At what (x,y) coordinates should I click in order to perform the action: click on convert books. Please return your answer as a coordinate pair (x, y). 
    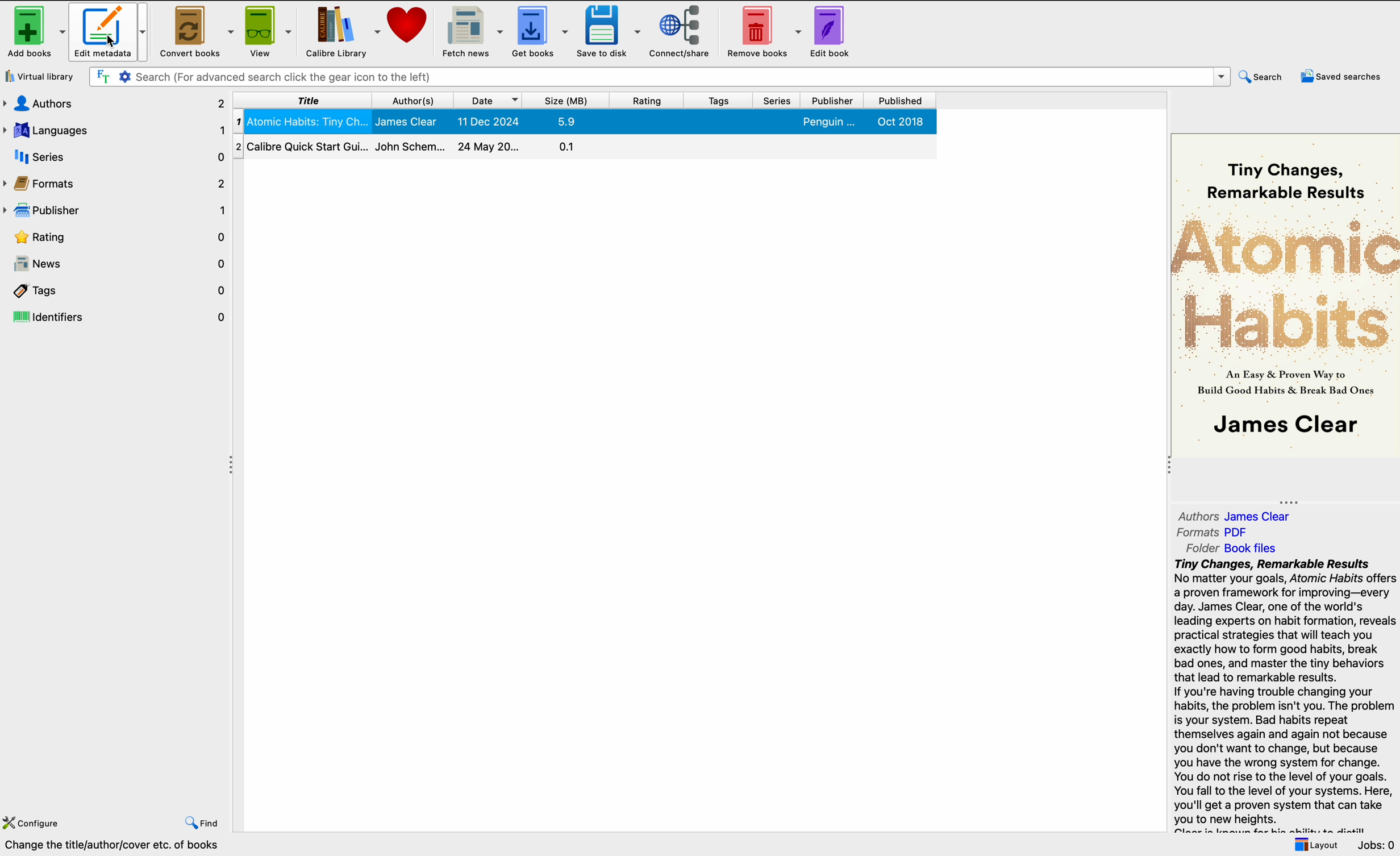
    Looking at the image, I should click on (193, 30).